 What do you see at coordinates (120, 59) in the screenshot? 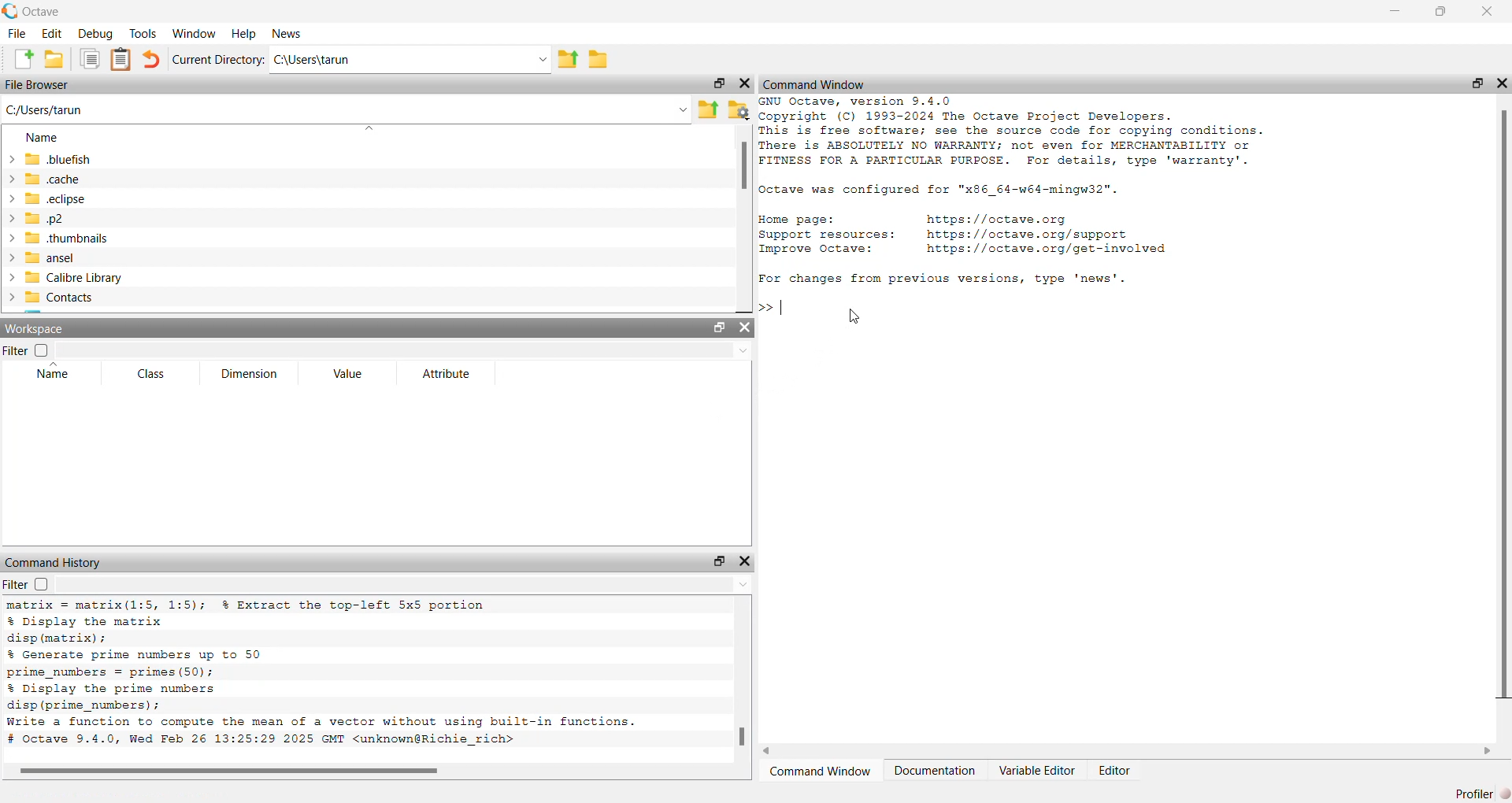
I see `clip board` at bounding box center [120, 59].